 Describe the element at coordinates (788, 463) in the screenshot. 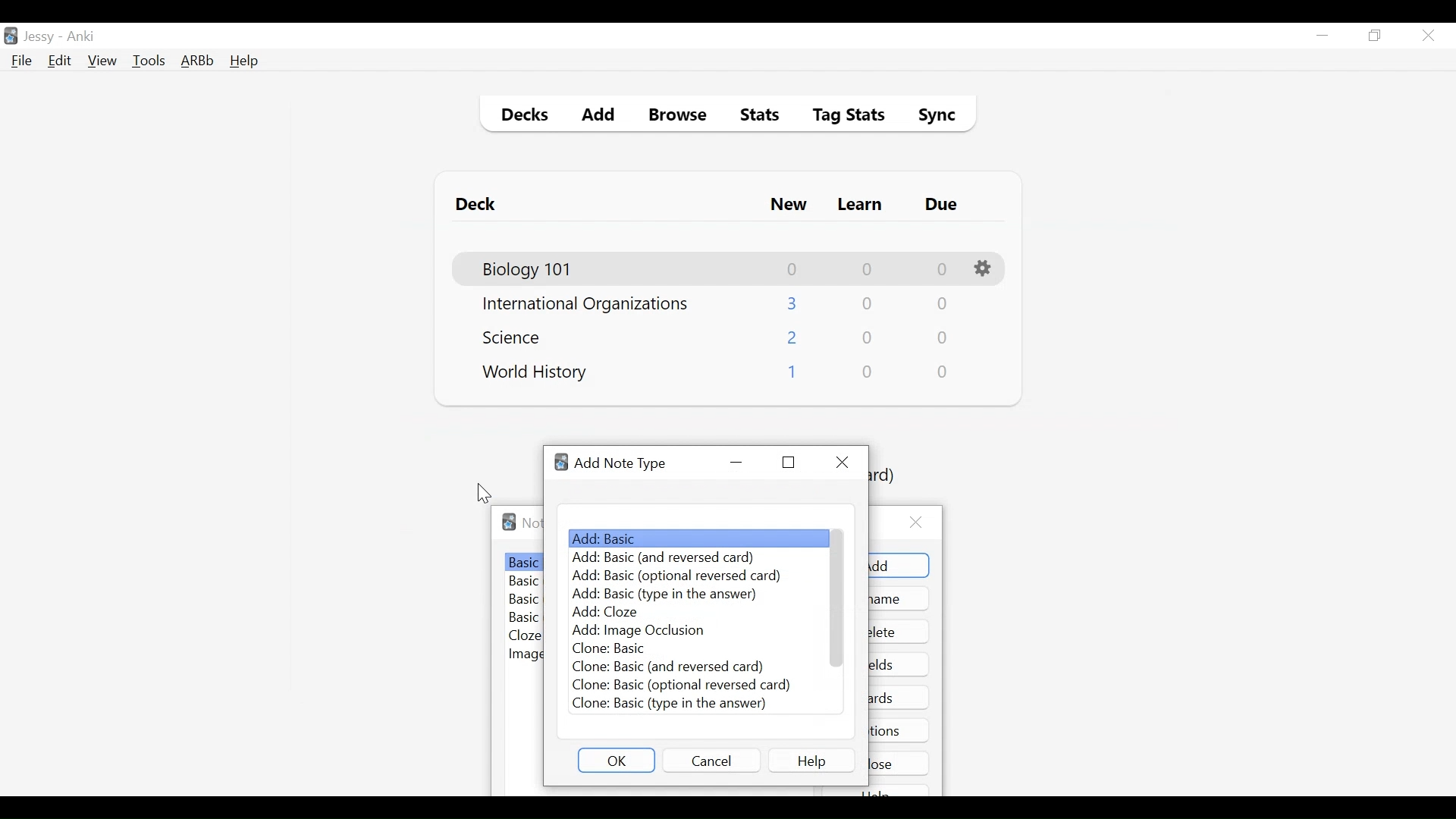

I see `Restore` at that location.